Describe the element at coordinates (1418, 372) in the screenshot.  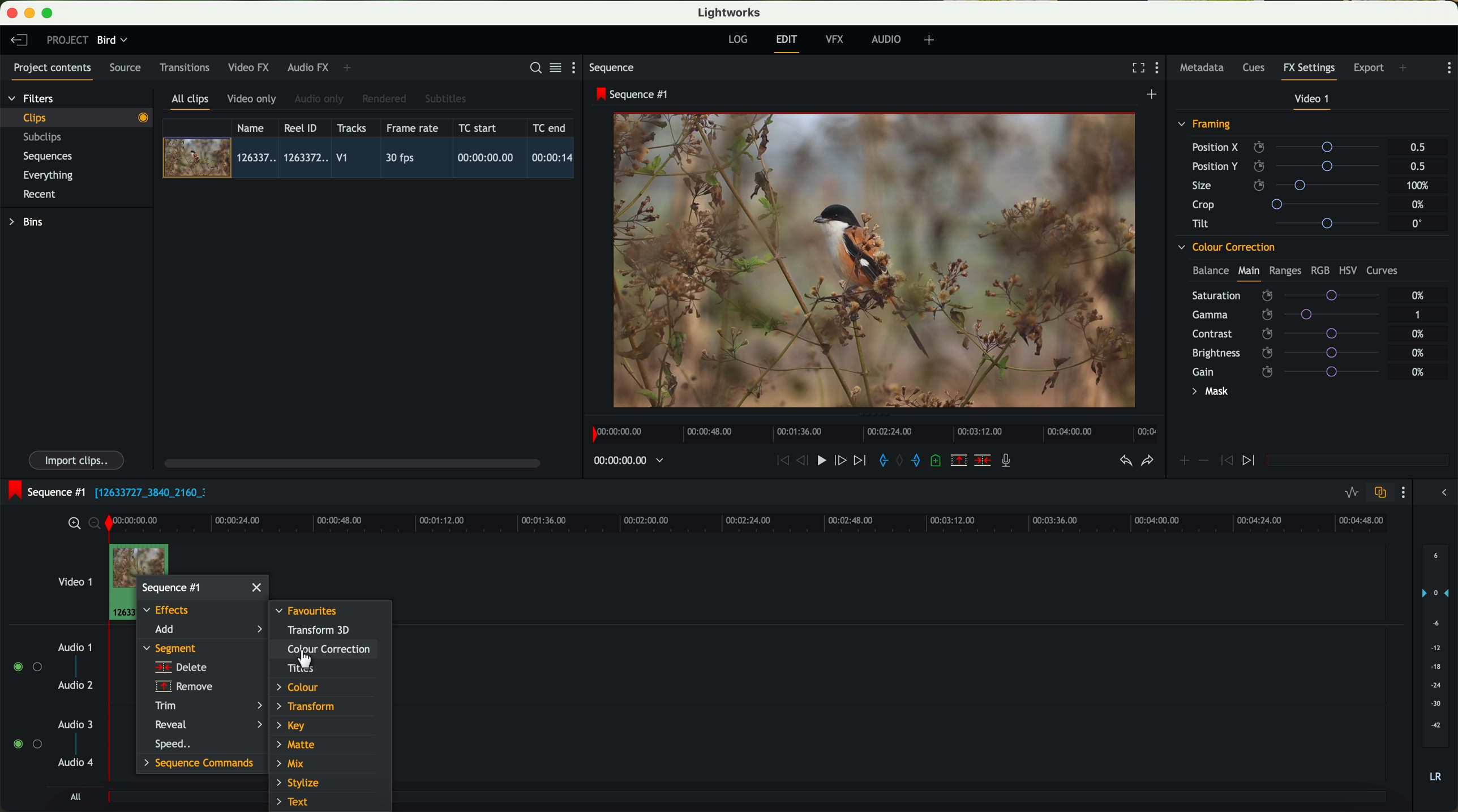
I see `0%` at that location.